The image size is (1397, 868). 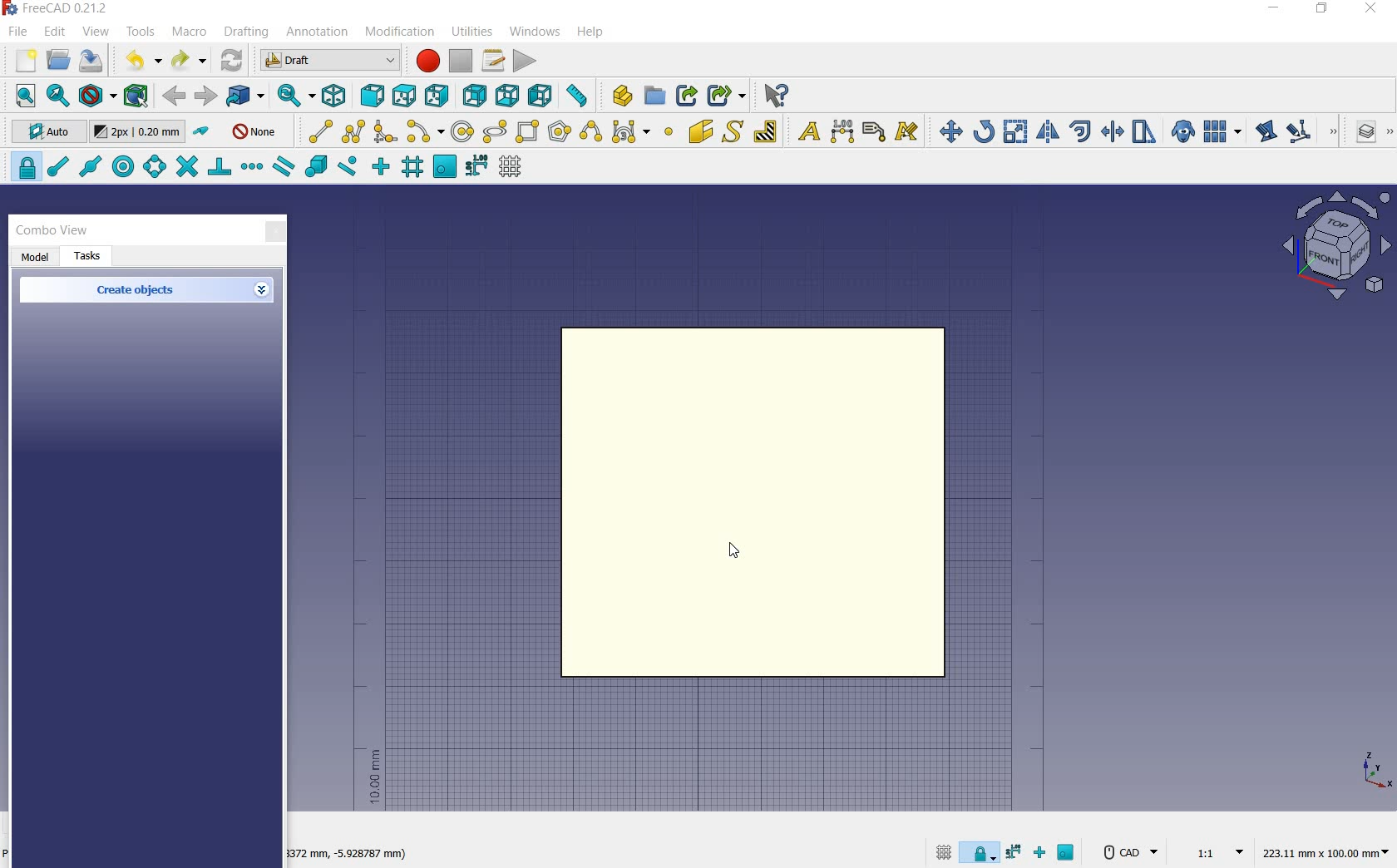 I want to click on isometric, so click(x=335, y=98).